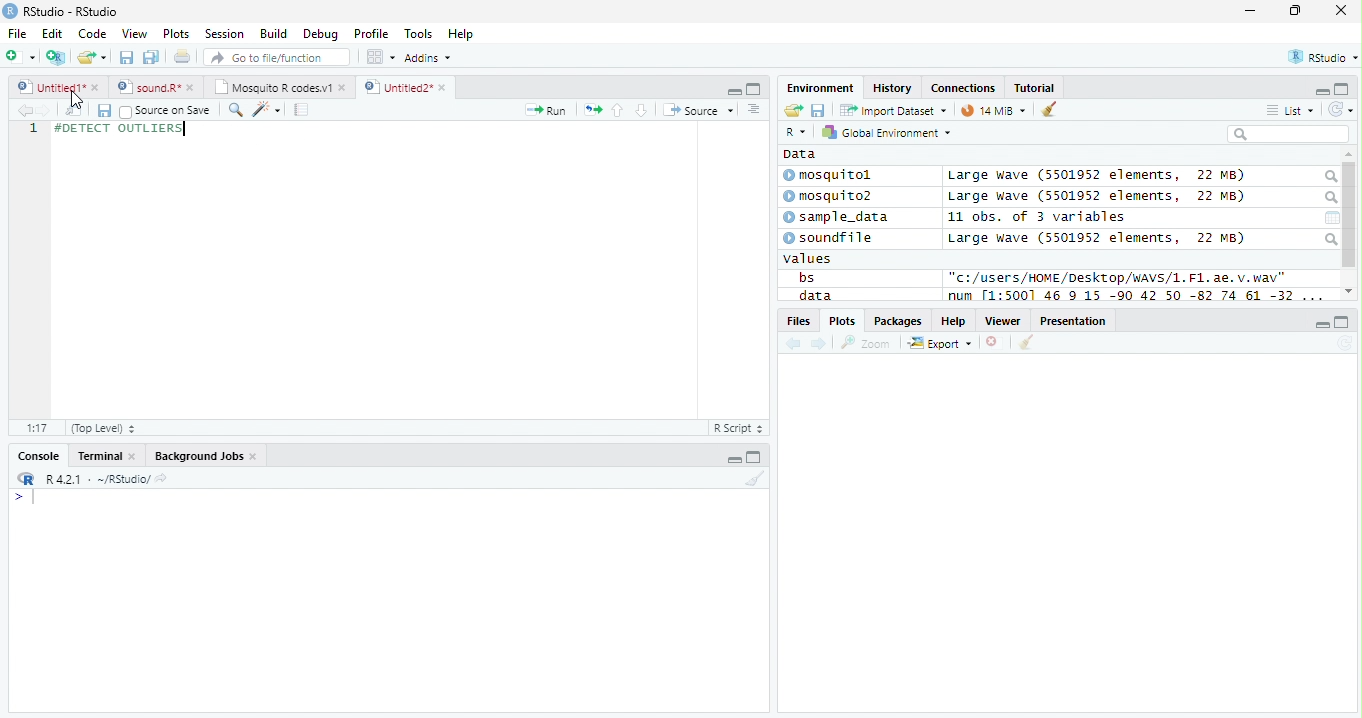 The height and width of the screenshot is (718, 1362). What do you see at coordinates (1096, 176) in the screenshot?
I see `Large wave (5501952 elements, 22 MB)` at bounding box center [1096, 176].